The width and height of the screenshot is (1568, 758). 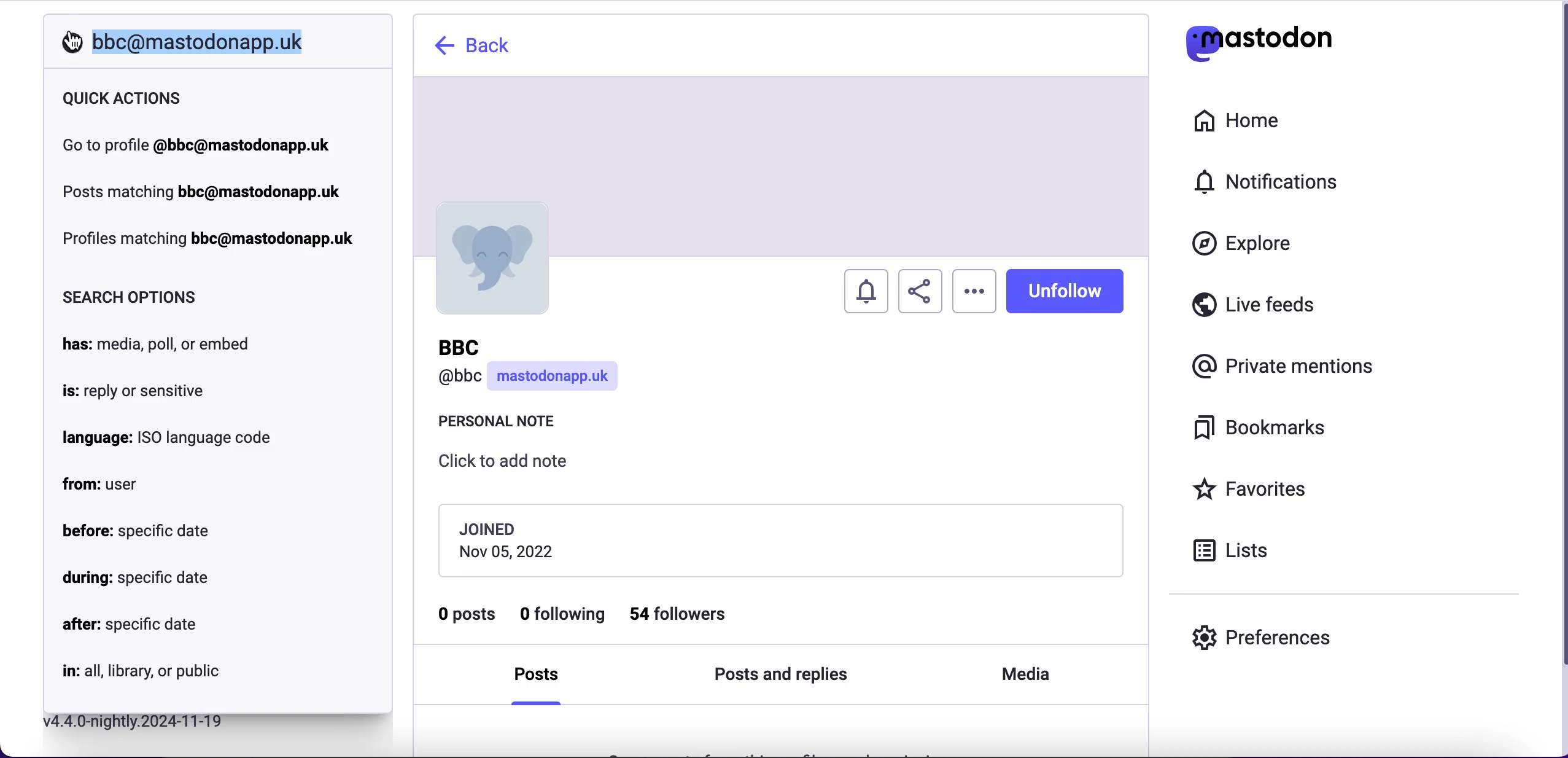 I want to click on posts, so click(x=541, y=679).